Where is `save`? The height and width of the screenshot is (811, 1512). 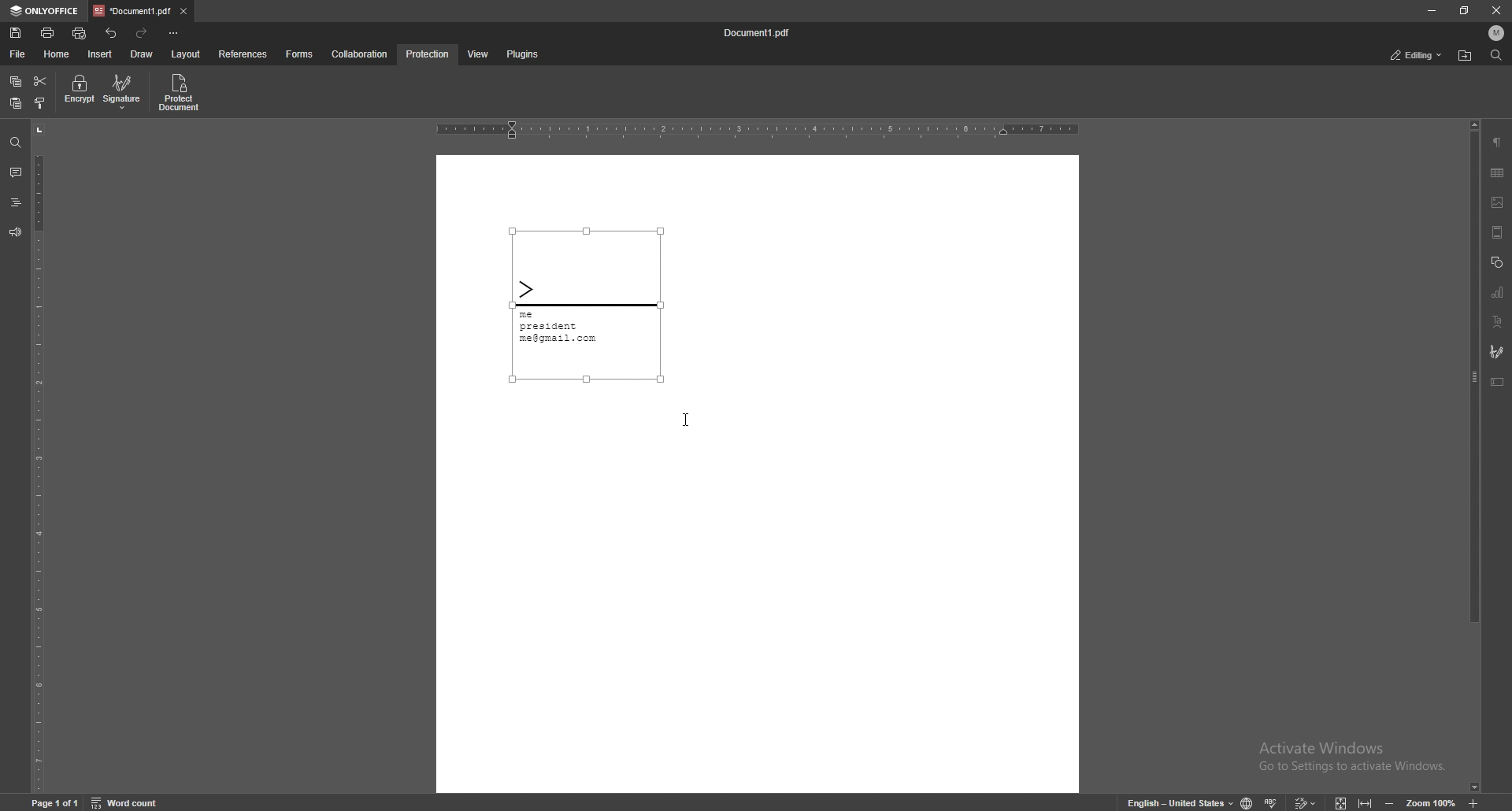 save is located at coordinates (17, 33).